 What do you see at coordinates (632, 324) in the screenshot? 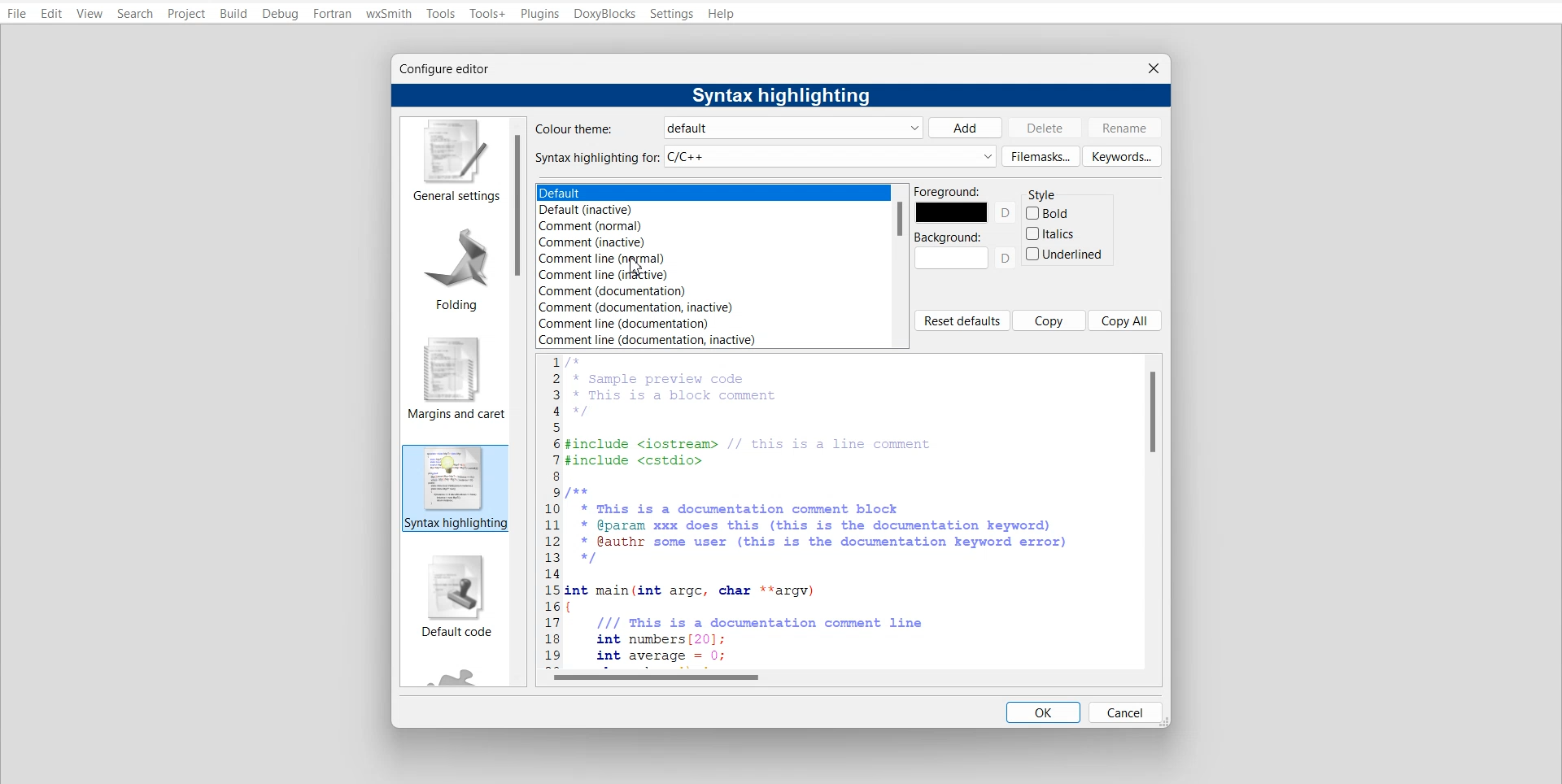
I see `Comment line (documentation)` at bounding box center [632, 324].